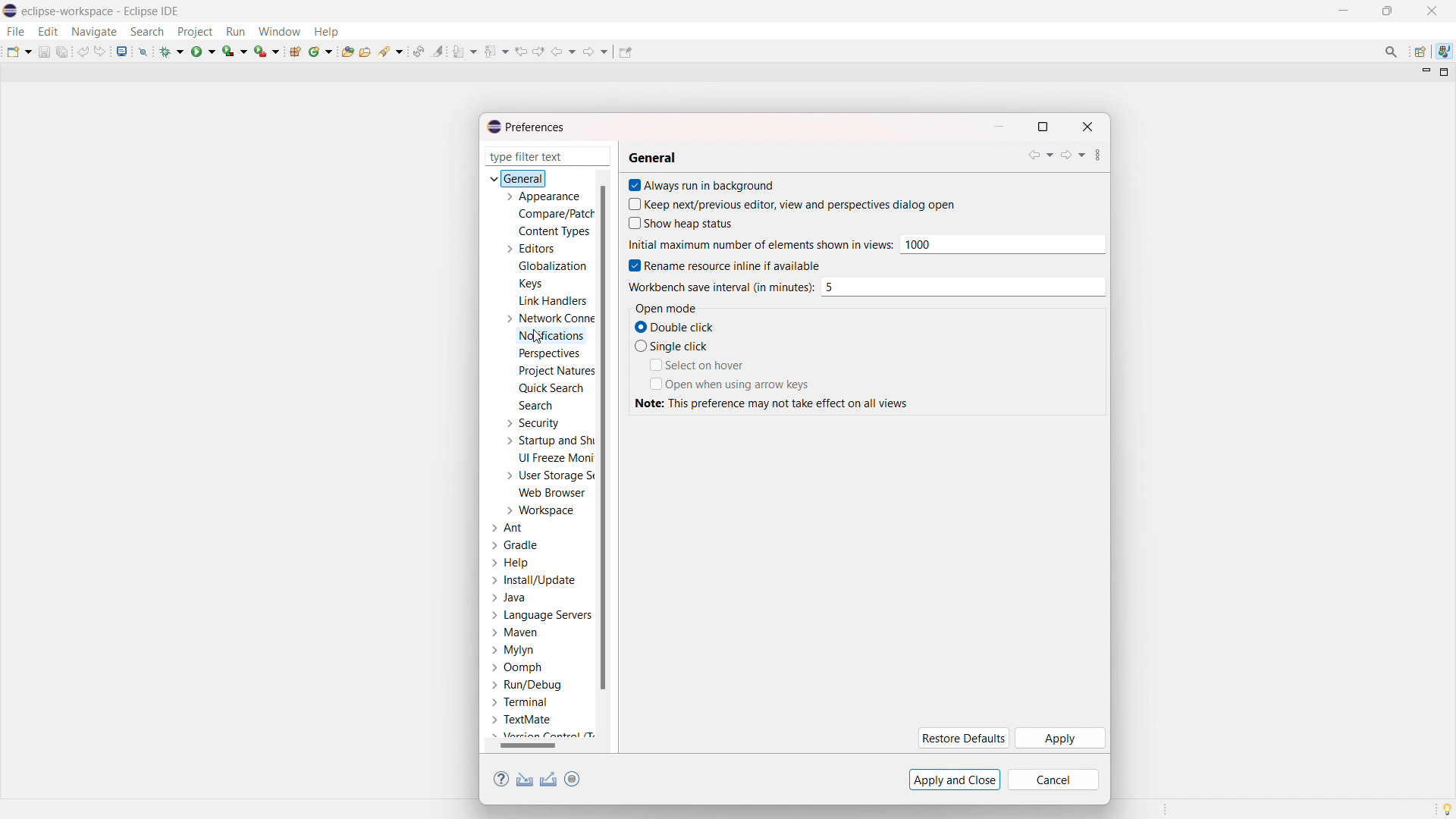  I want to click on java, so click(510, 598).